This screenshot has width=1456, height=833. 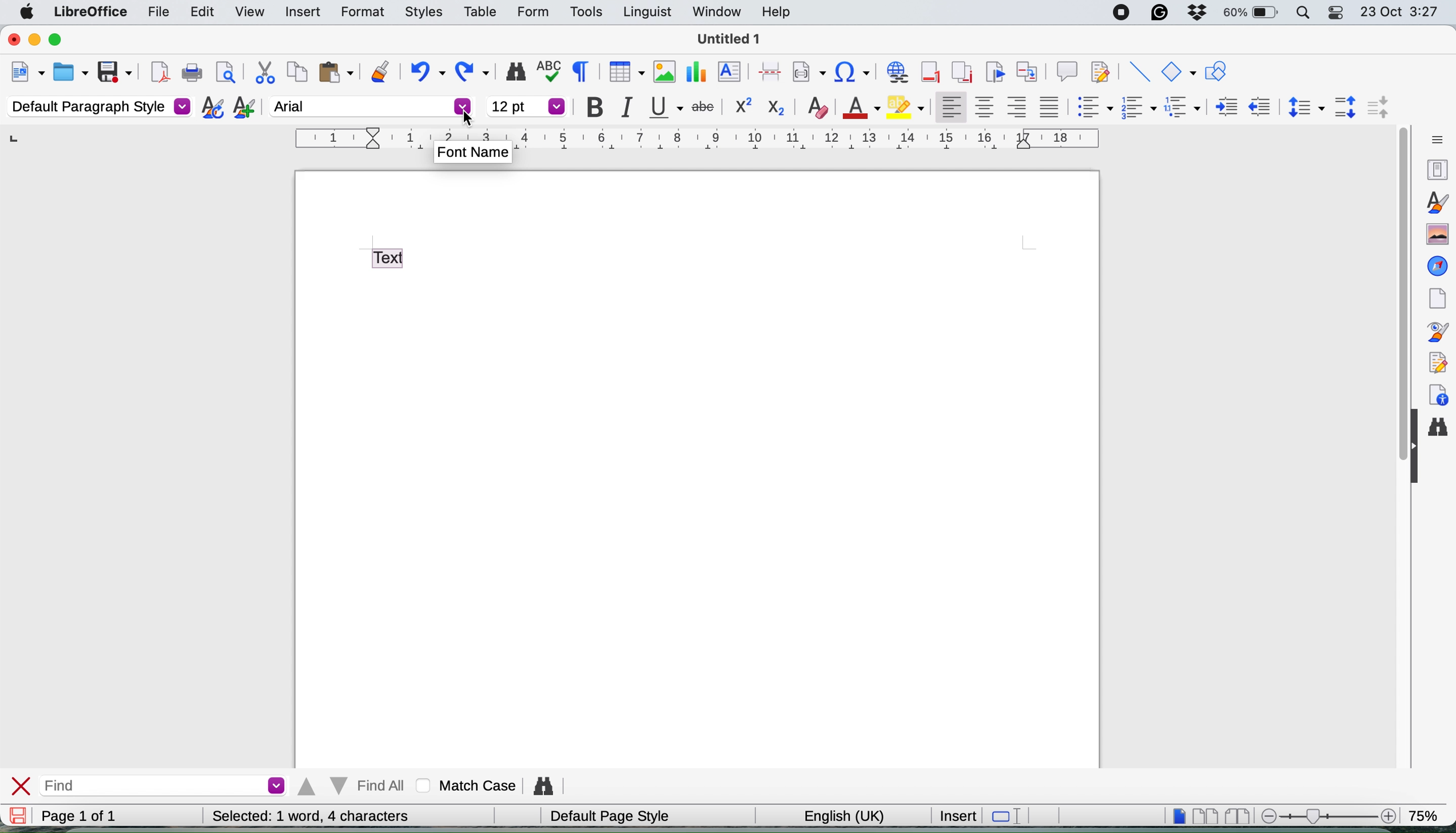 I want to click on strikethrough, so click(x=704, y=108).